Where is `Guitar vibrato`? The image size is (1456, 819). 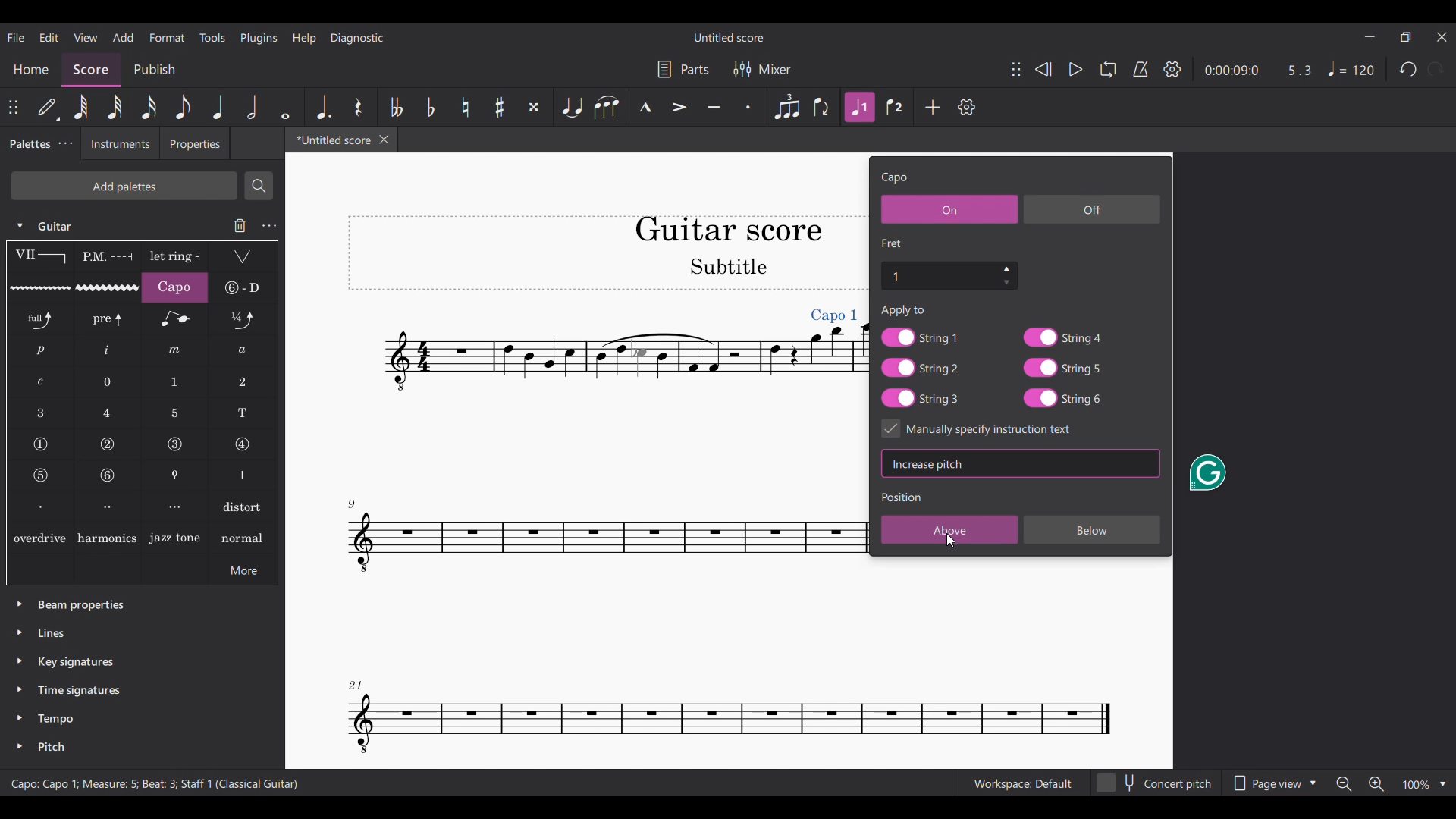
Guitar vibrato is located at coordinates (40, 288).